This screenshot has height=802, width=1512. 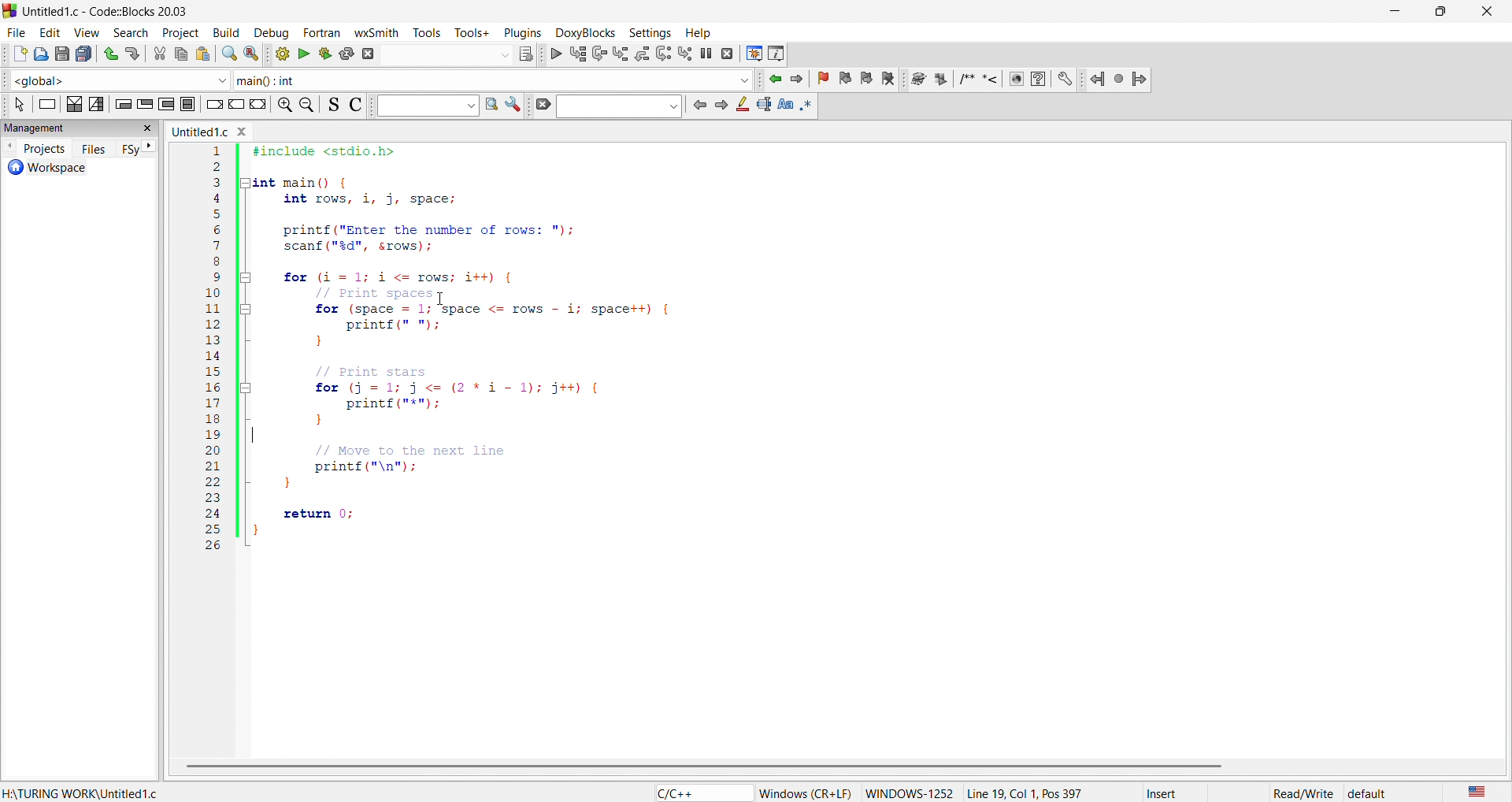 What do you see at coordinates (49, 31) in the screenshot?
I see `edit` at bounding box center [49, 31].